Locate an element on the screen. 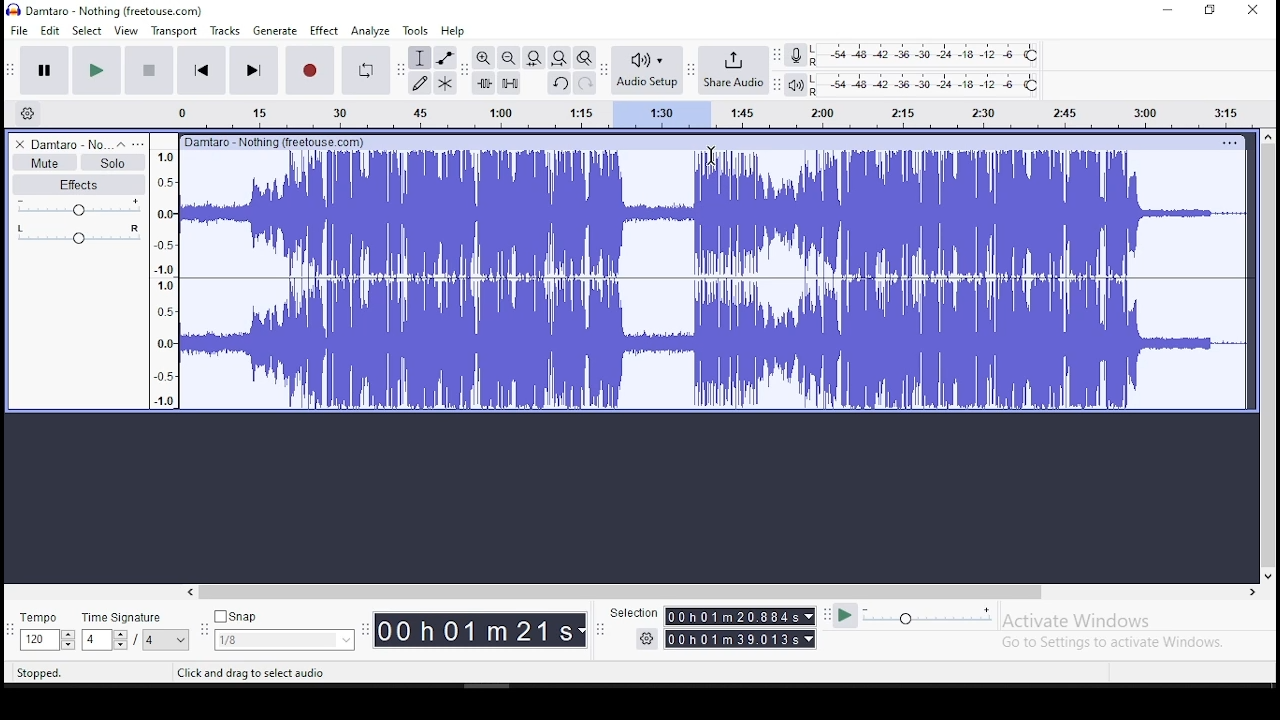  left is located at coordinates (189, 592).